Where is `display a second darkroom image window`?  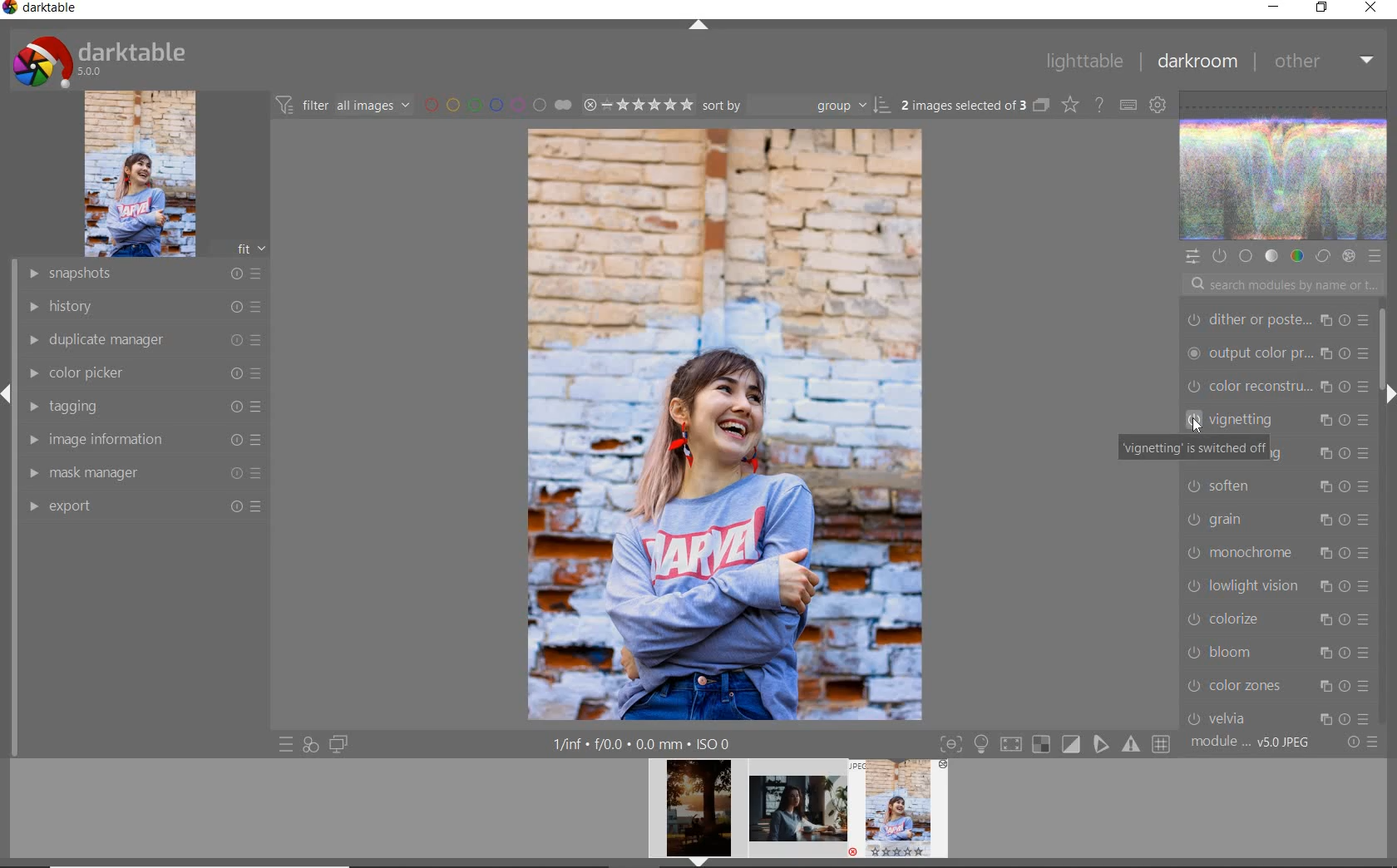 display a second darkroom image window is located at coordinates (339, 744).